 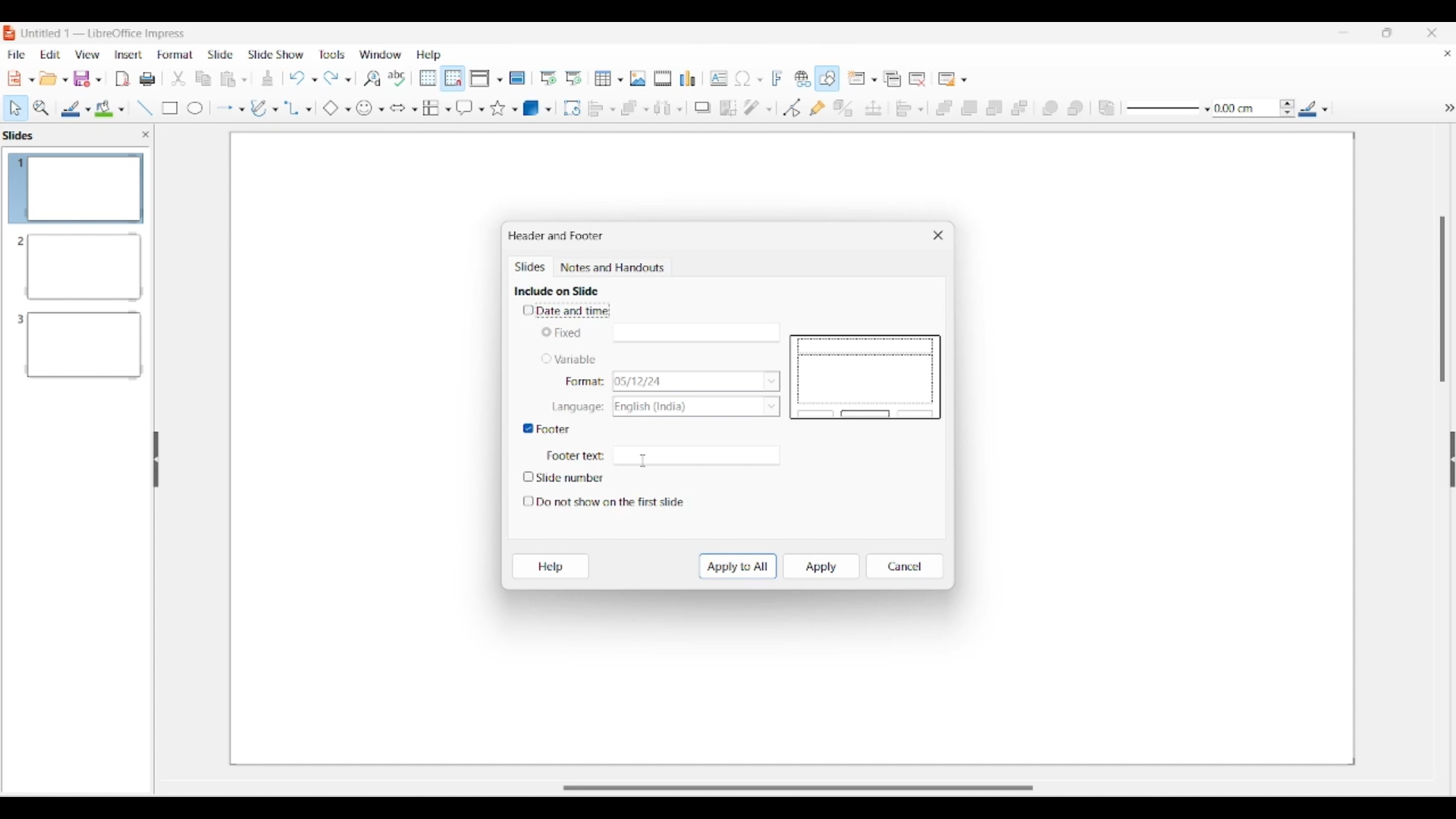 I want to click on Display view options, so click(x=487, y=78).